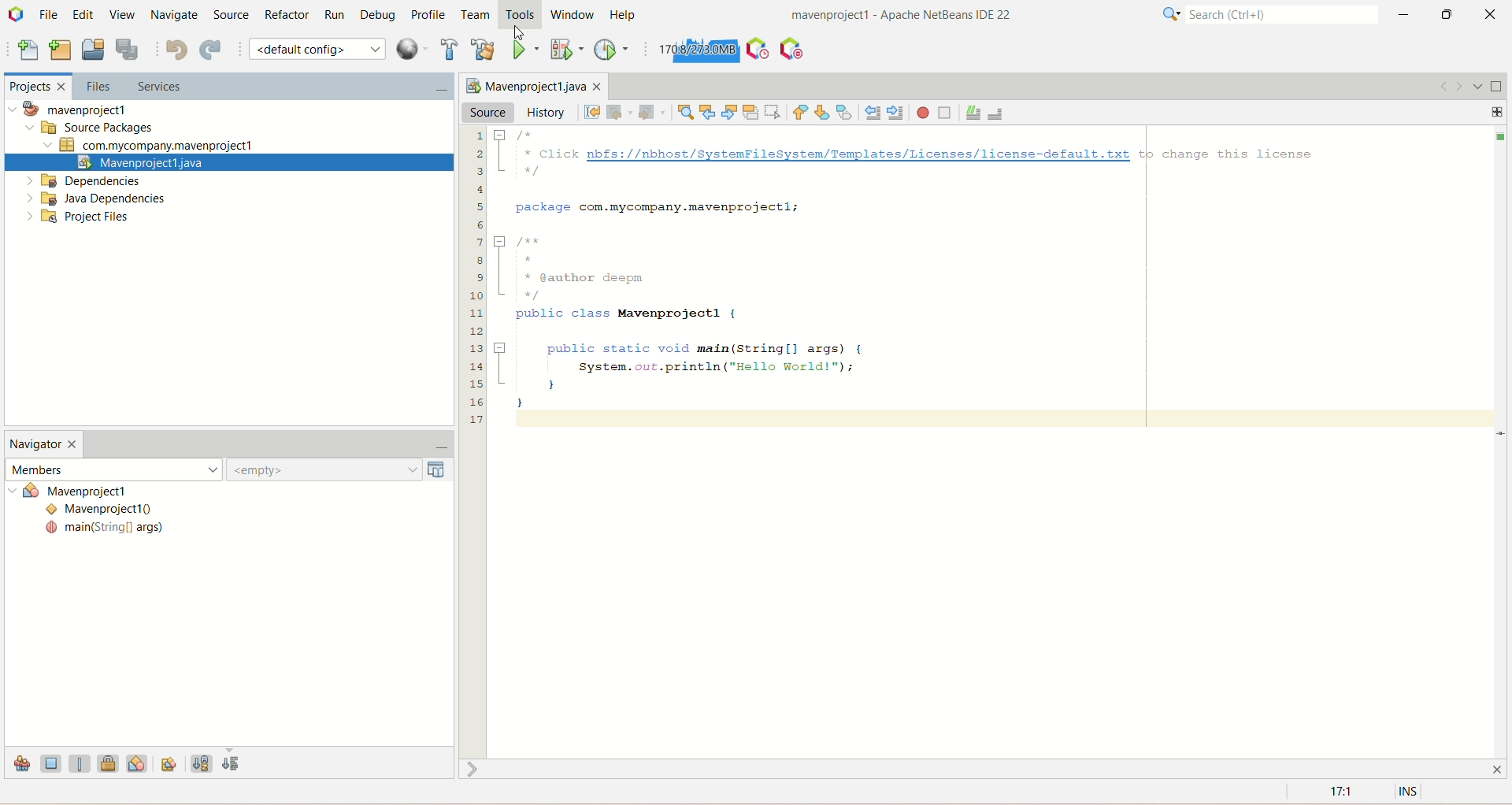 The width and height of the screenshot is (1512, 805). Describe the element at coordinates (758, 49) in the screenshot. I see `profile IDE` at that location.